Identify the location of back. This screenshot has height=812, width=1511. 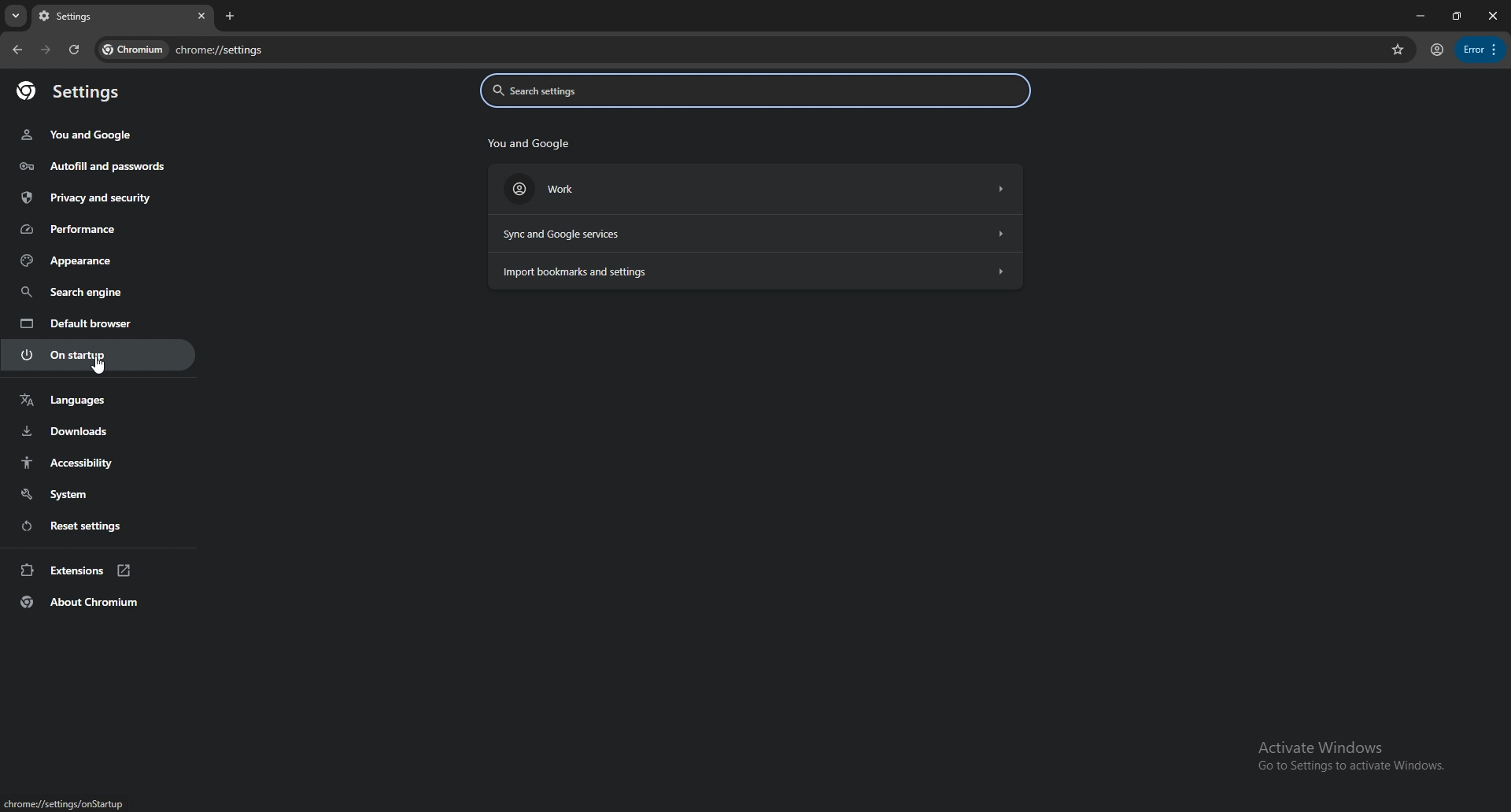
(17, 50).